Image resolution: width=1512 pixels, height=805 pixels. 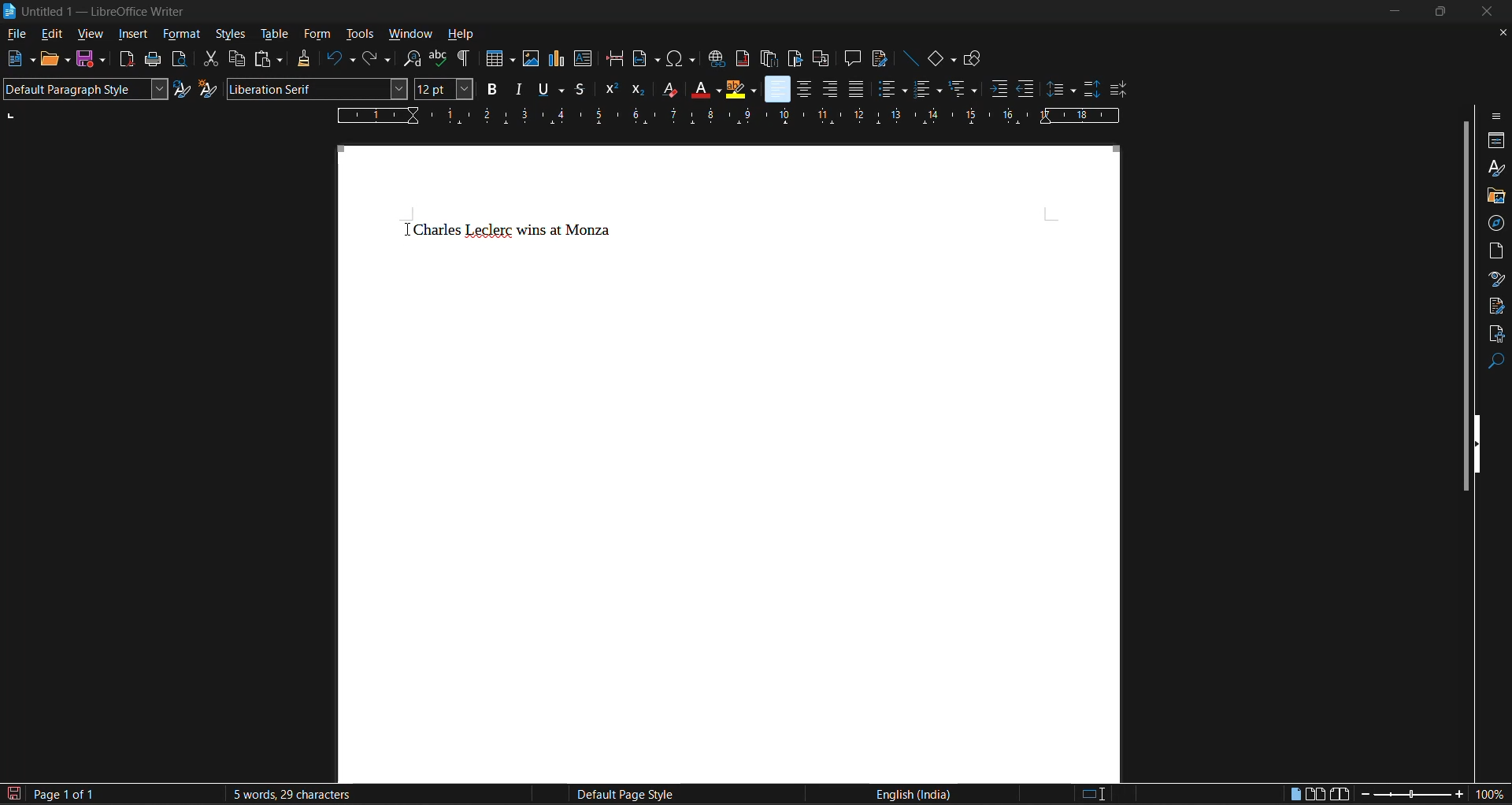 What do you see at coordinates (88, 36) in the screenshot?
I see `view` at bounding box center [88, 36].